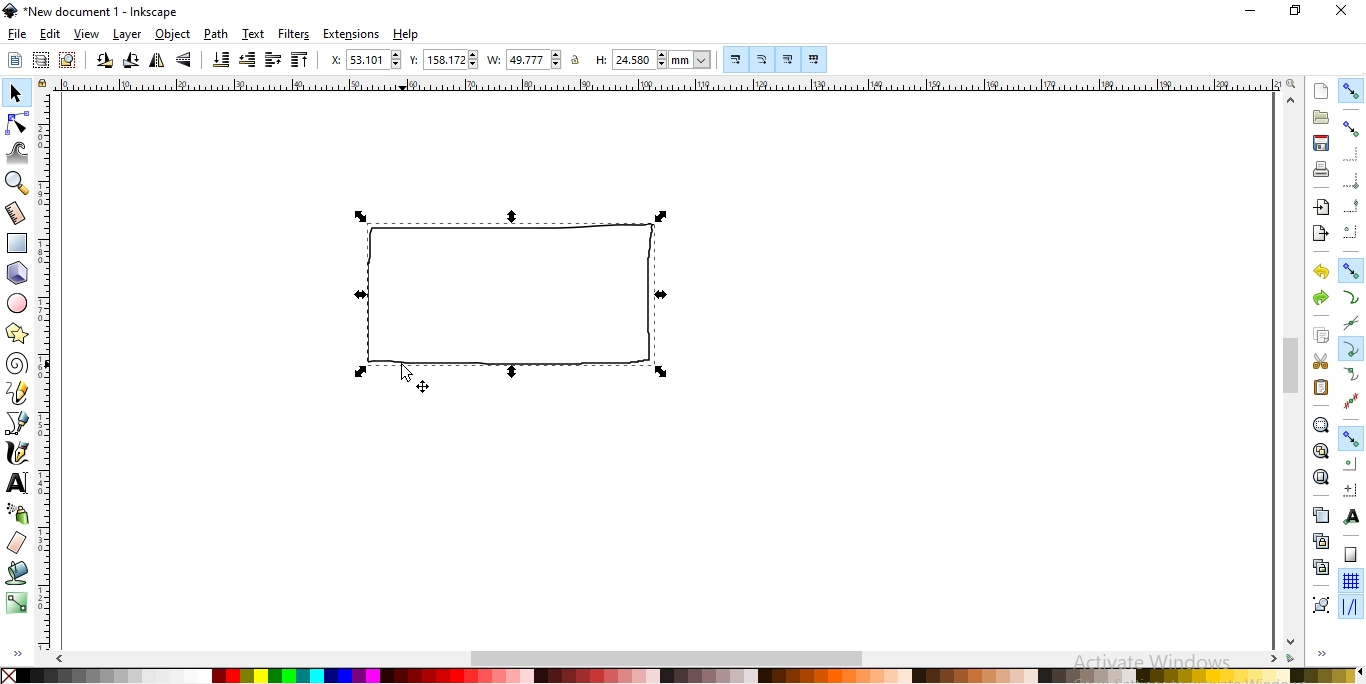  I want to click on edit paths by nodes, so click(18, 124).